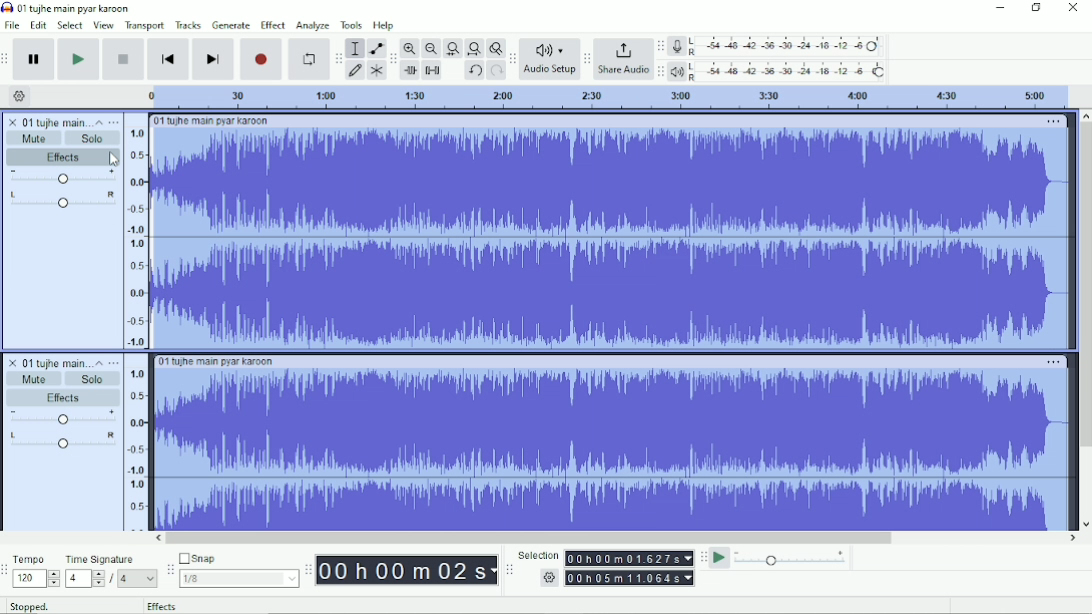 The image size is (1092, 614). I want to click on Undo, so click(474, 71).